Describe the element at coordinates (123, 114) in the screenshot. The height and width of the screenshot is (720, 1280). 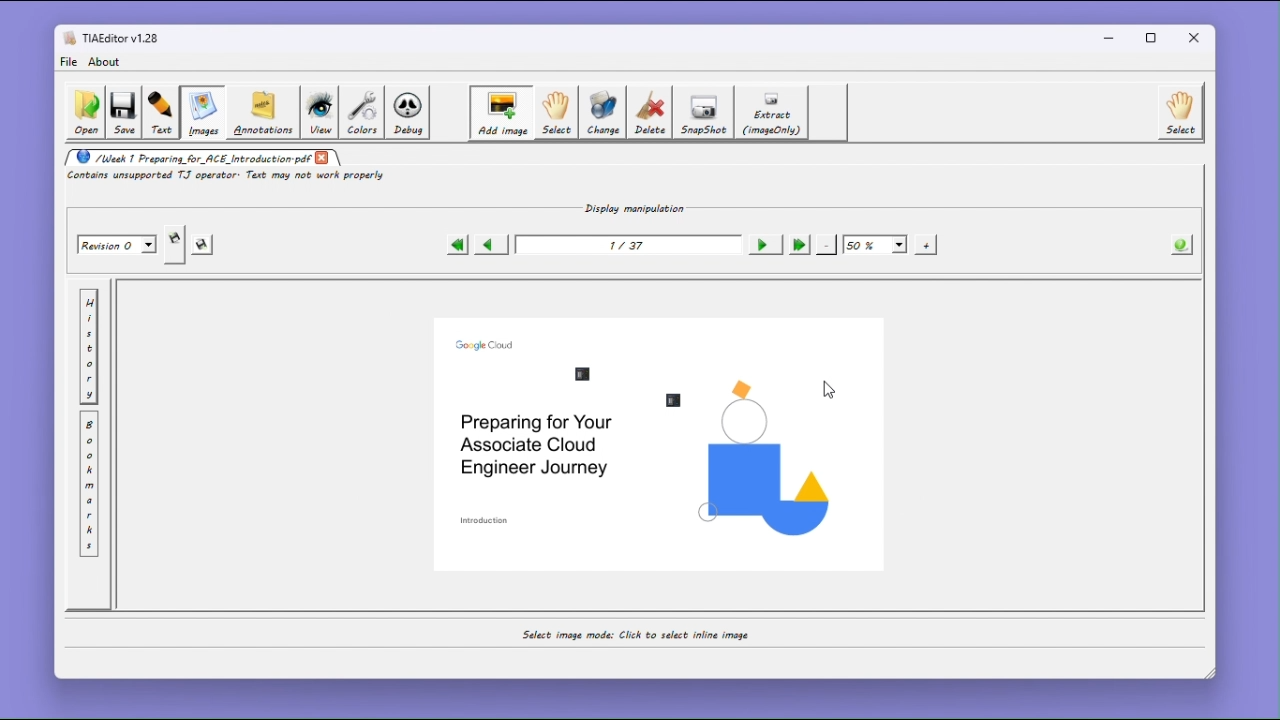
I see `save` at that location.